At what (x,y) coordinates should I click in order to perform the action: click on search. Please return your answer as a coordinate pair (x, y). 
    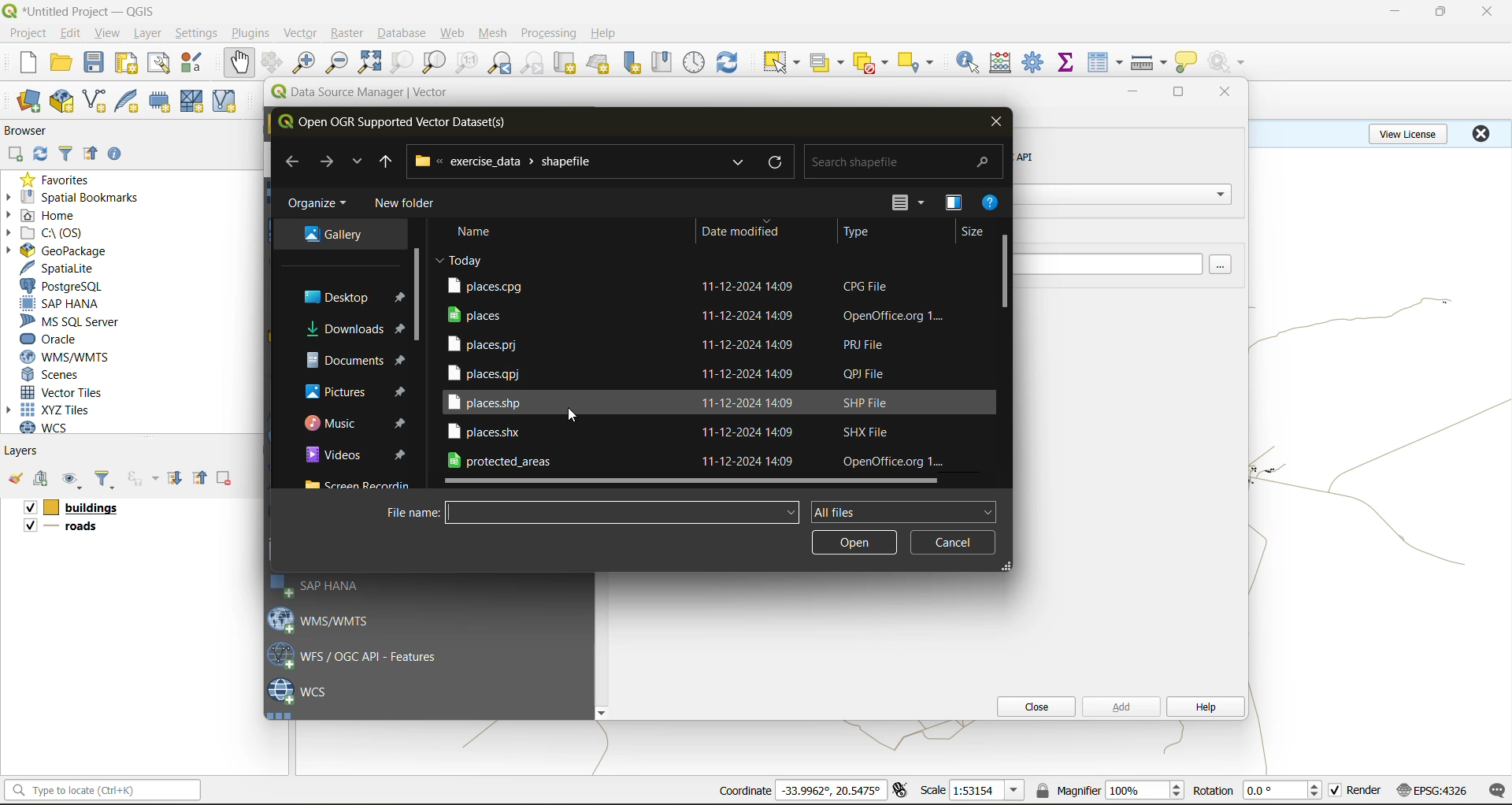
    Looking at the image, I should click on (736, 163).